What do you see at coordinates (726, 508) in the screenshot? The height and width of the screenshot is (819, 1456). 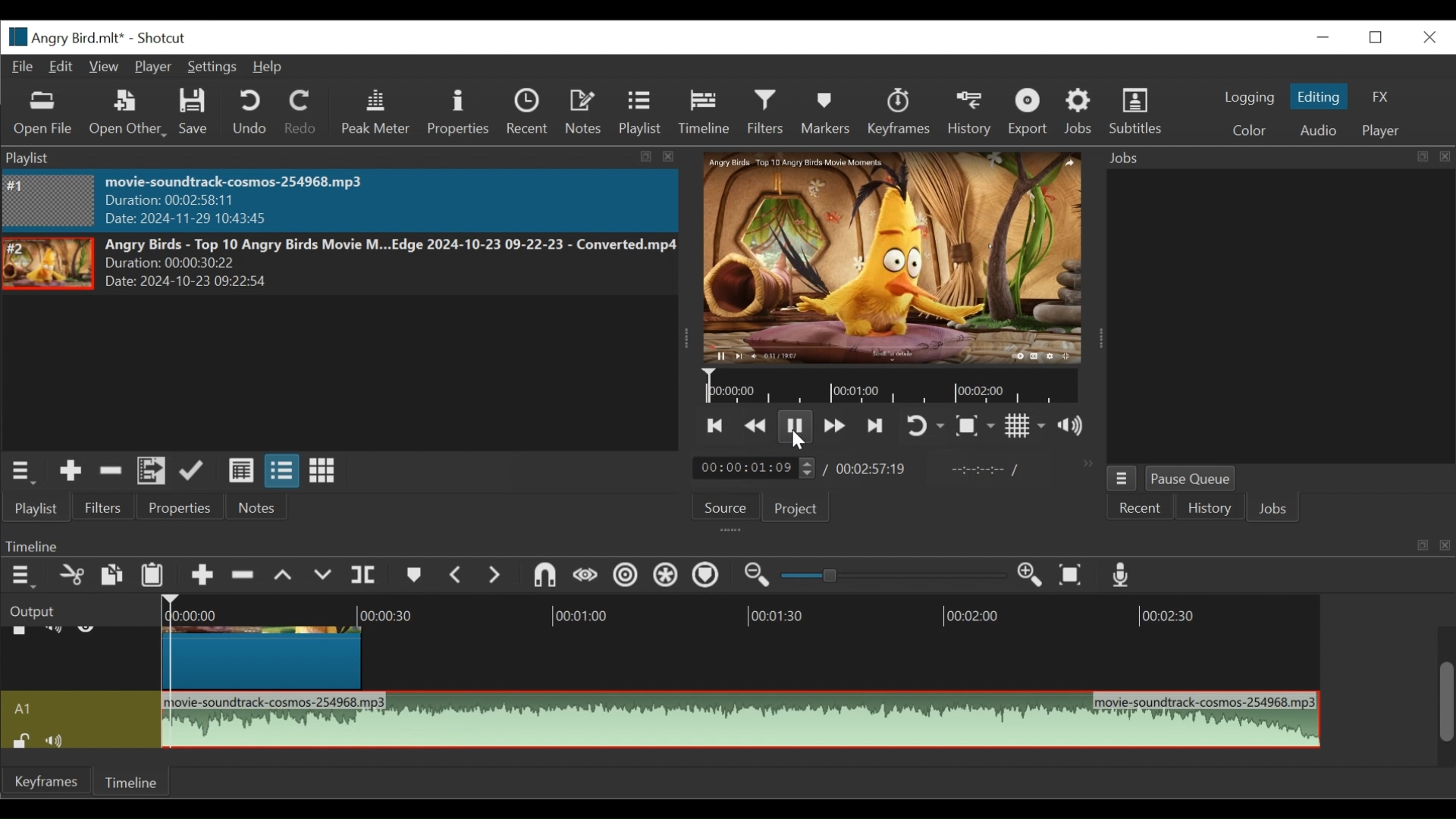 I see `Source` at bounding box center [726, 508].